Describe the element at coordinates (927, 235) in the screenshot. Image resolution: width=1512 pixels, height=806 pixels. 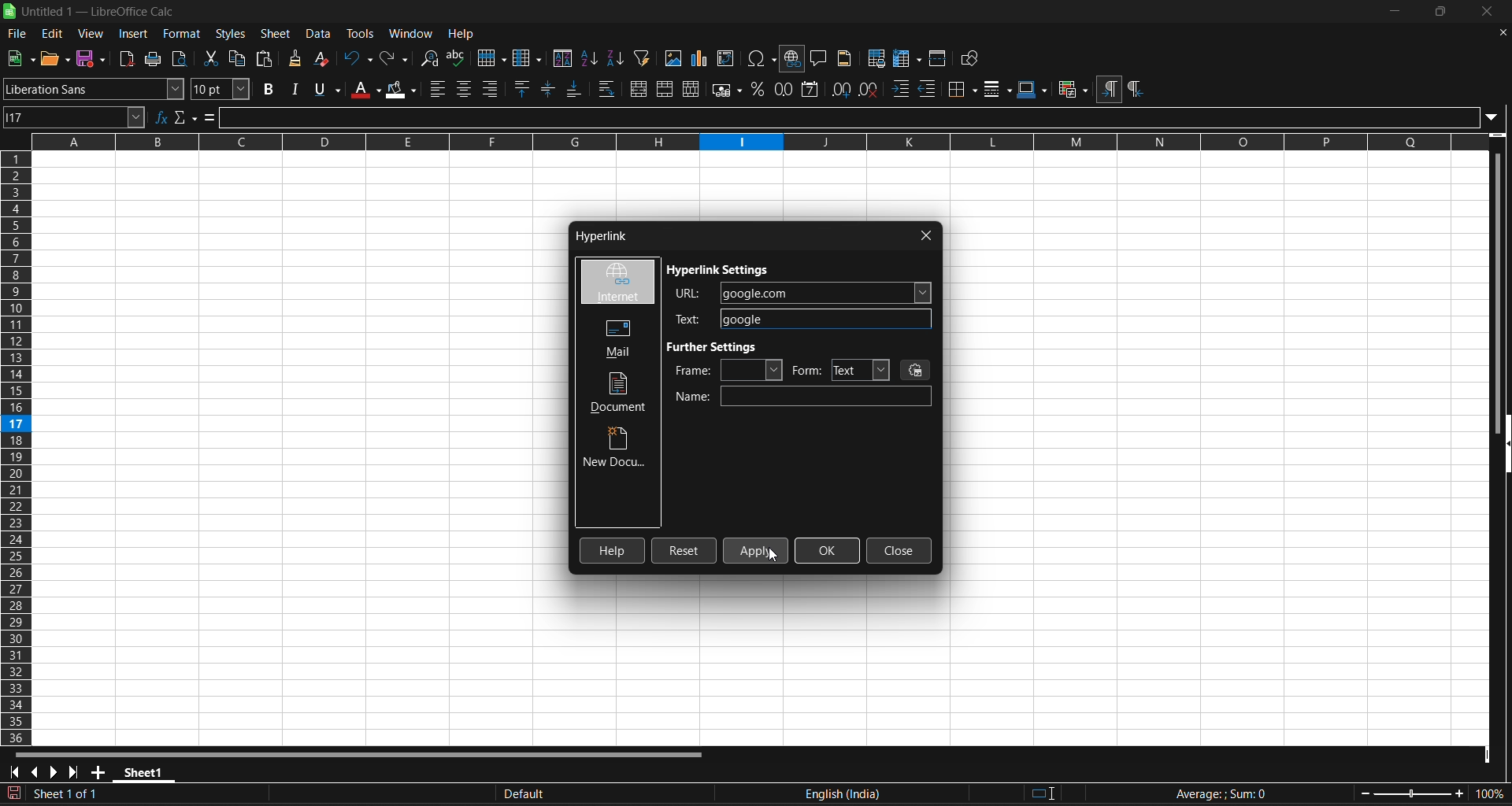
I see `close` at that location.